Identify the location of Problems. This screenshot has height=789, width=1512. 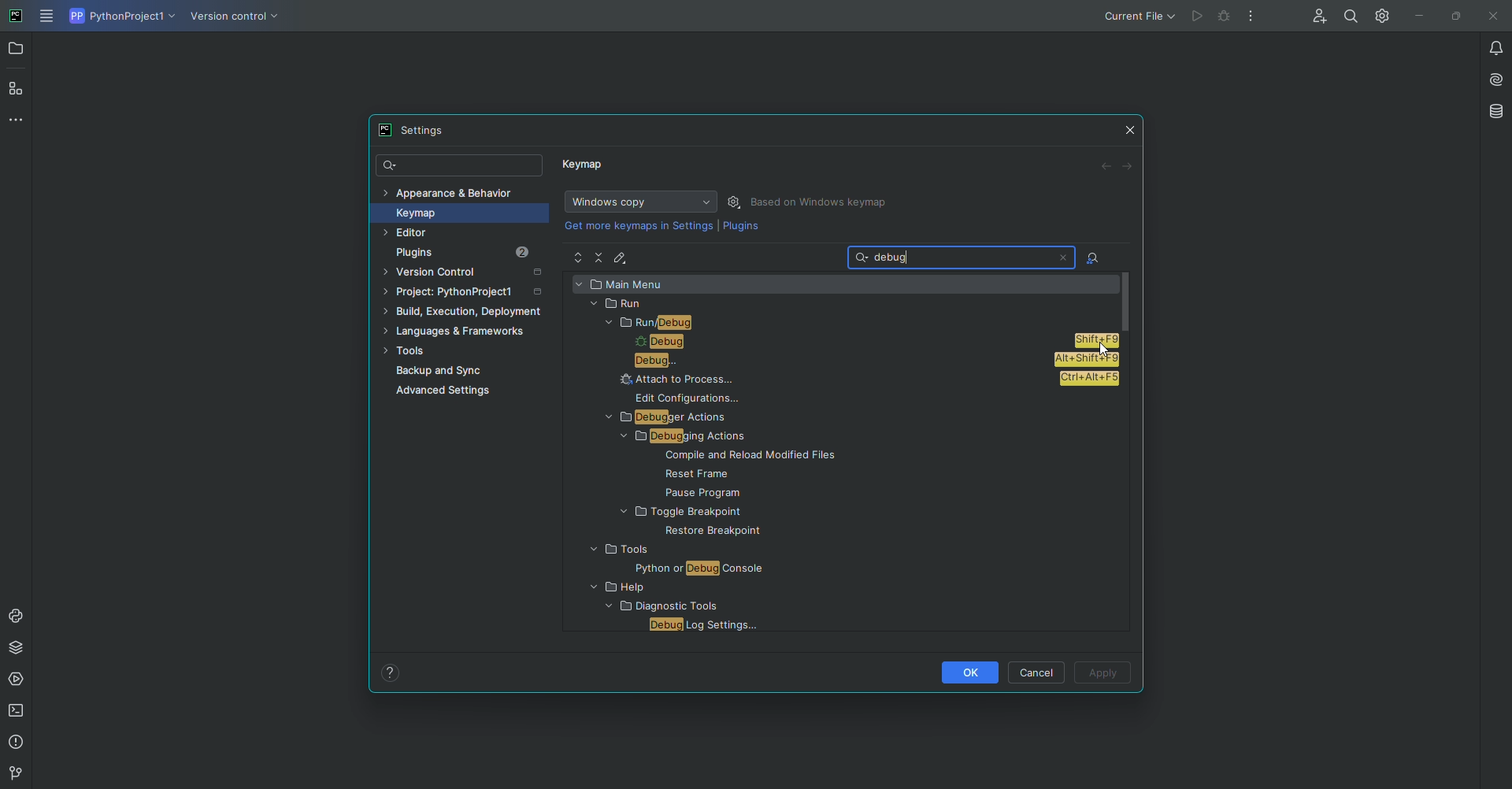
(18, 743).